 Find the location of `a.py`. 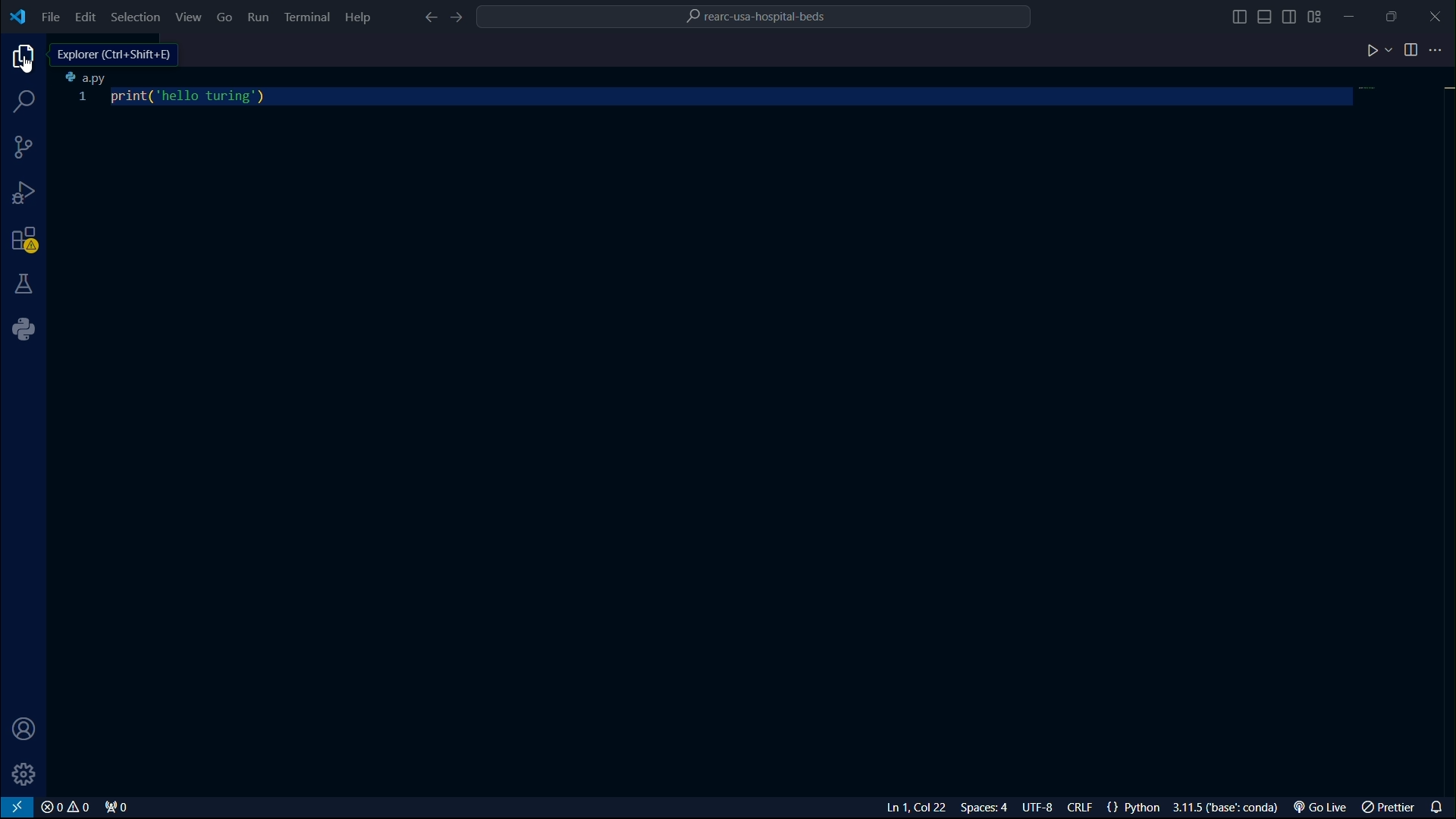

a.py is located at coordinates (90, 78).